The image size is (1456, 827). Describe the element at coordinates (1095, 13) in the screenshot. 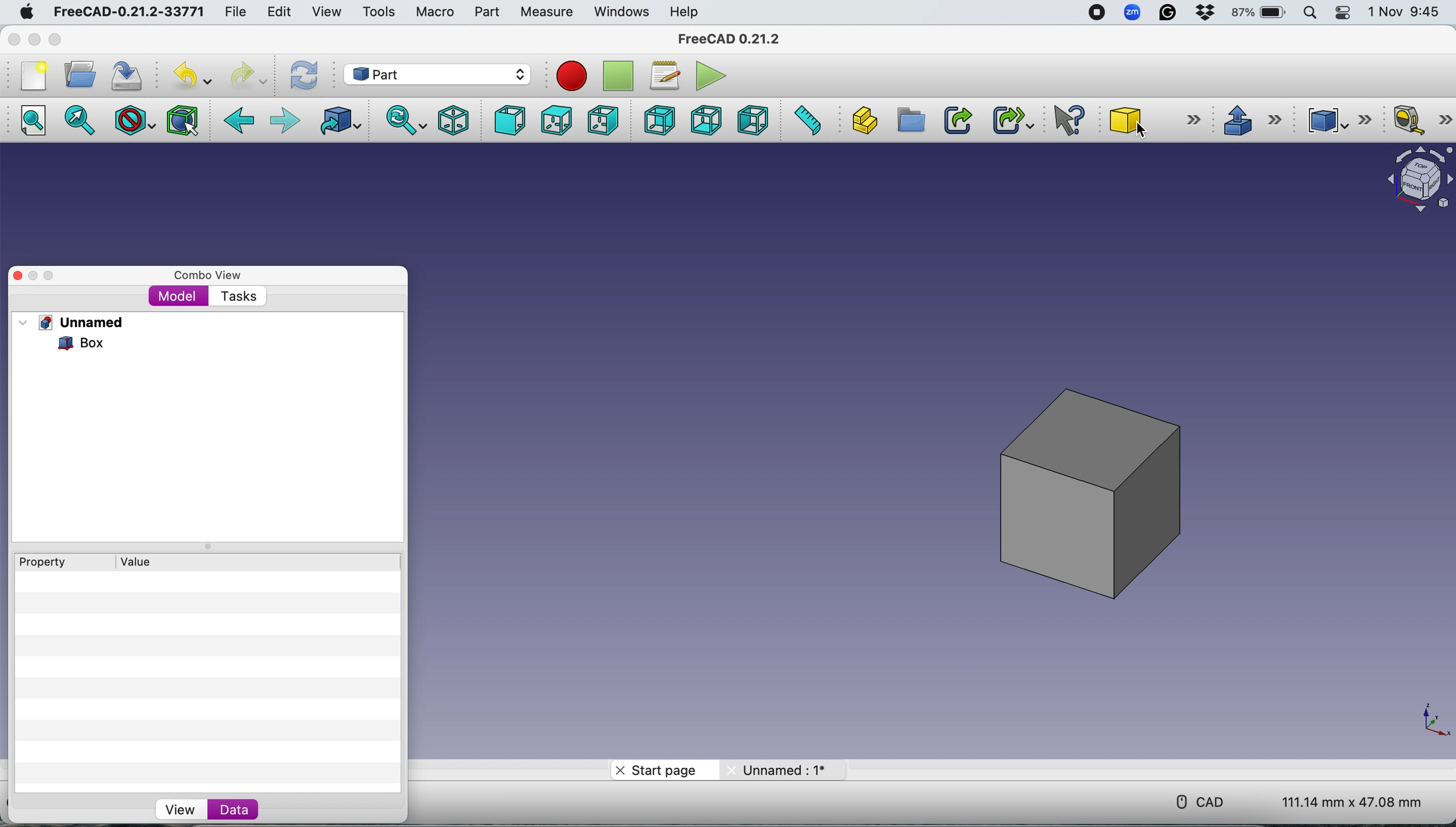

I see `screen recorder` at that location.